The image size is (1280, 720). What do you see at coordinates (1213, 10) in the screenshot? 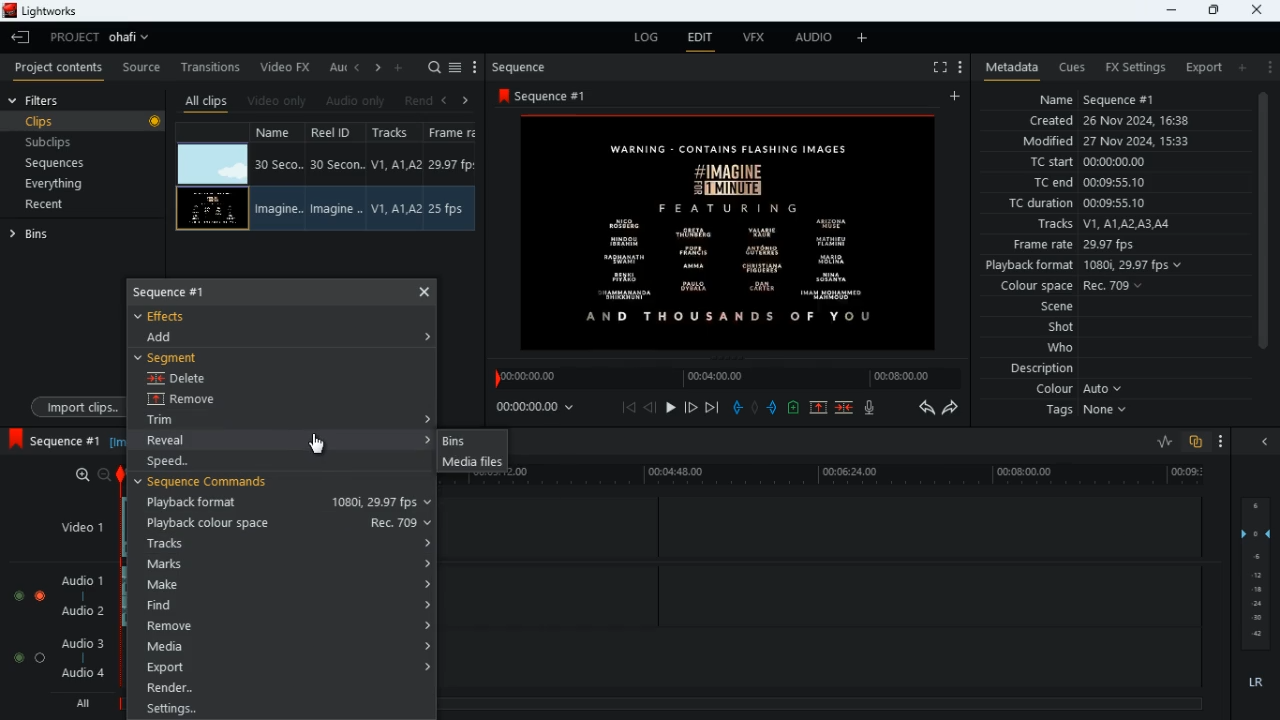
I see `maximize` at bounding box center [1213, 10].